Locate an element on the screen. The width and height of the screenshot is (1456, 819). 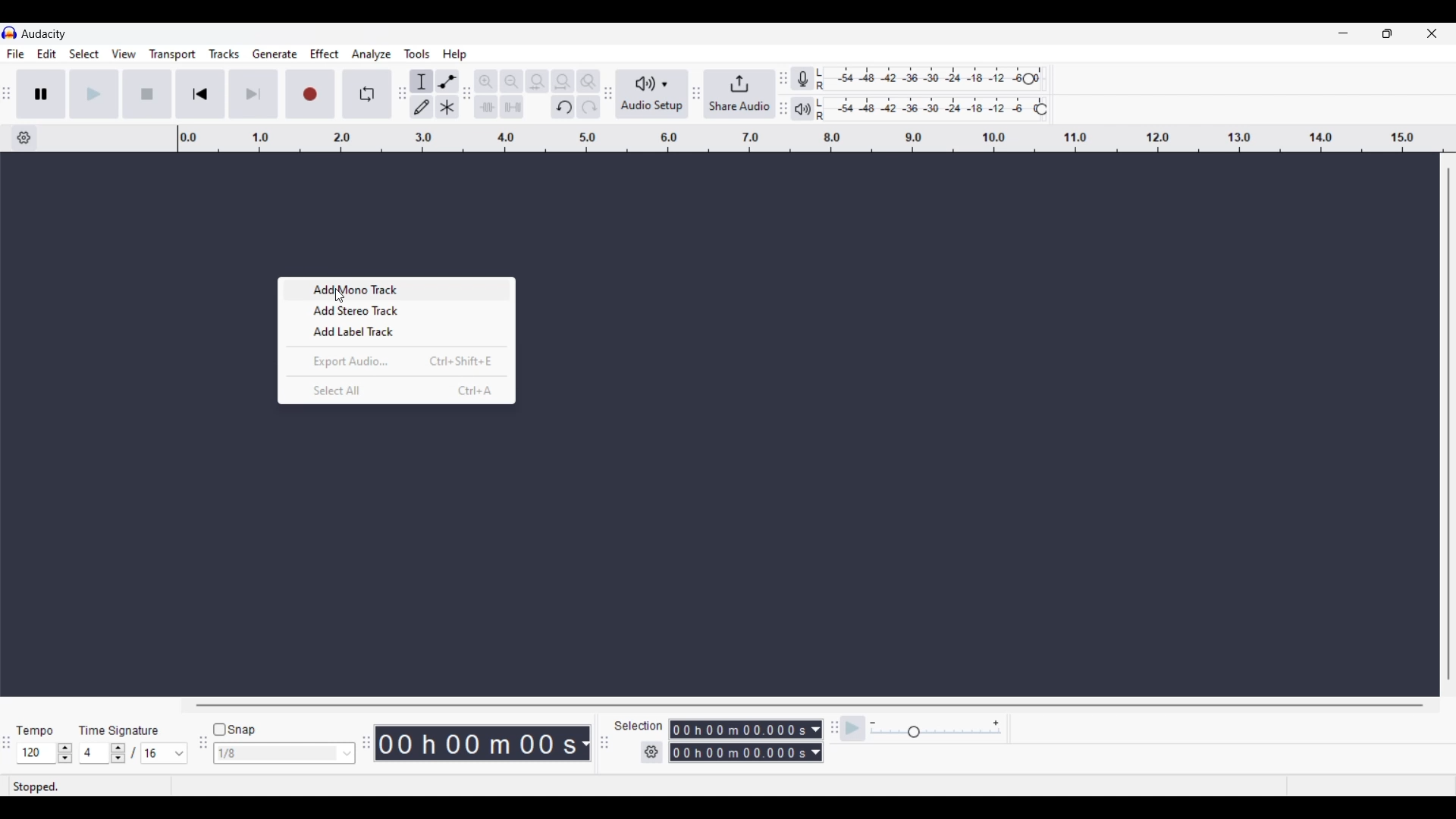
Horizontal slide bar is located at coordinates (810, 705).